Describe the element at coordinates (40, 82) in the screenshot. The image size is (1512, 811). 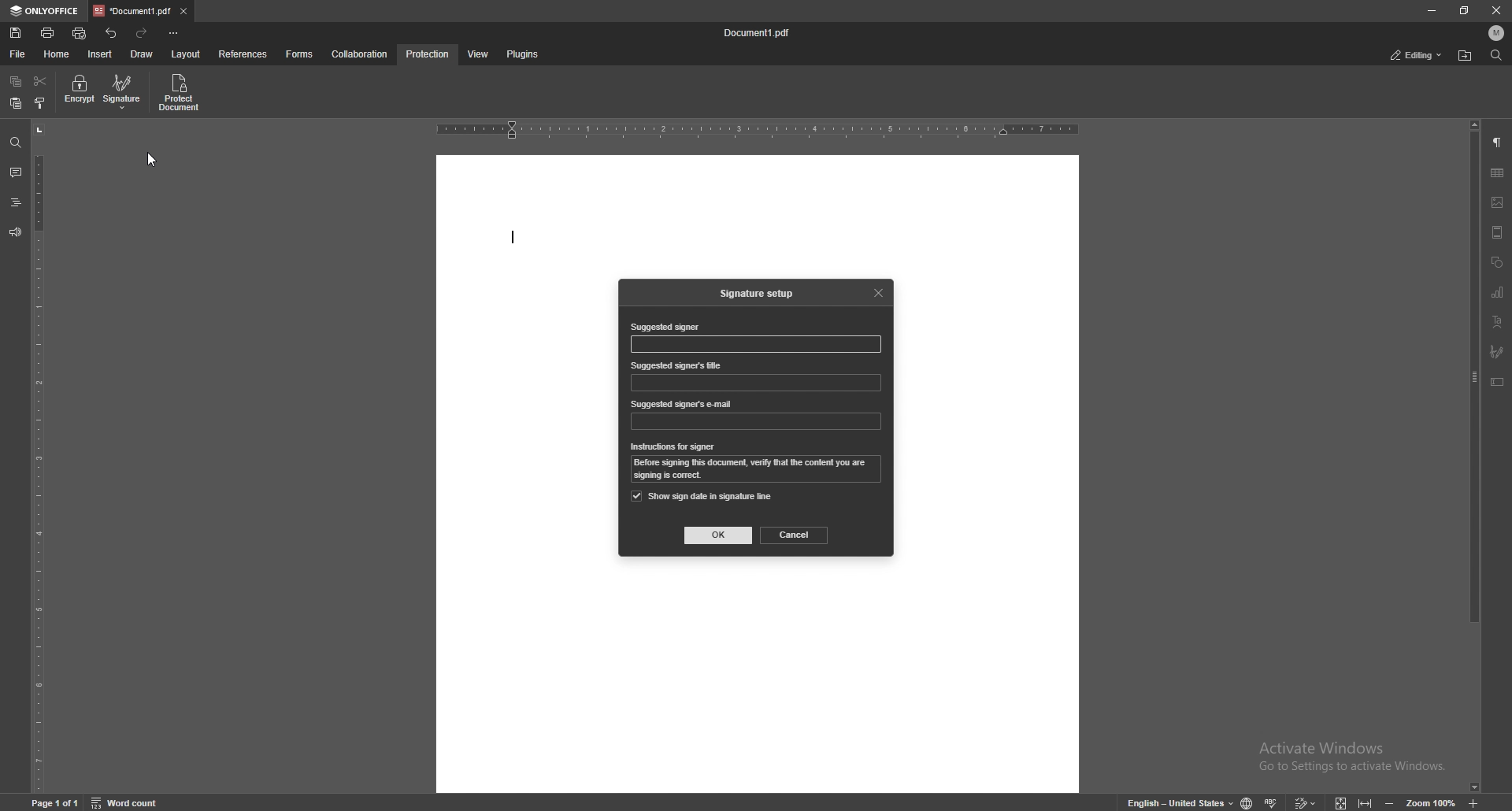
I see `cut` at that location.